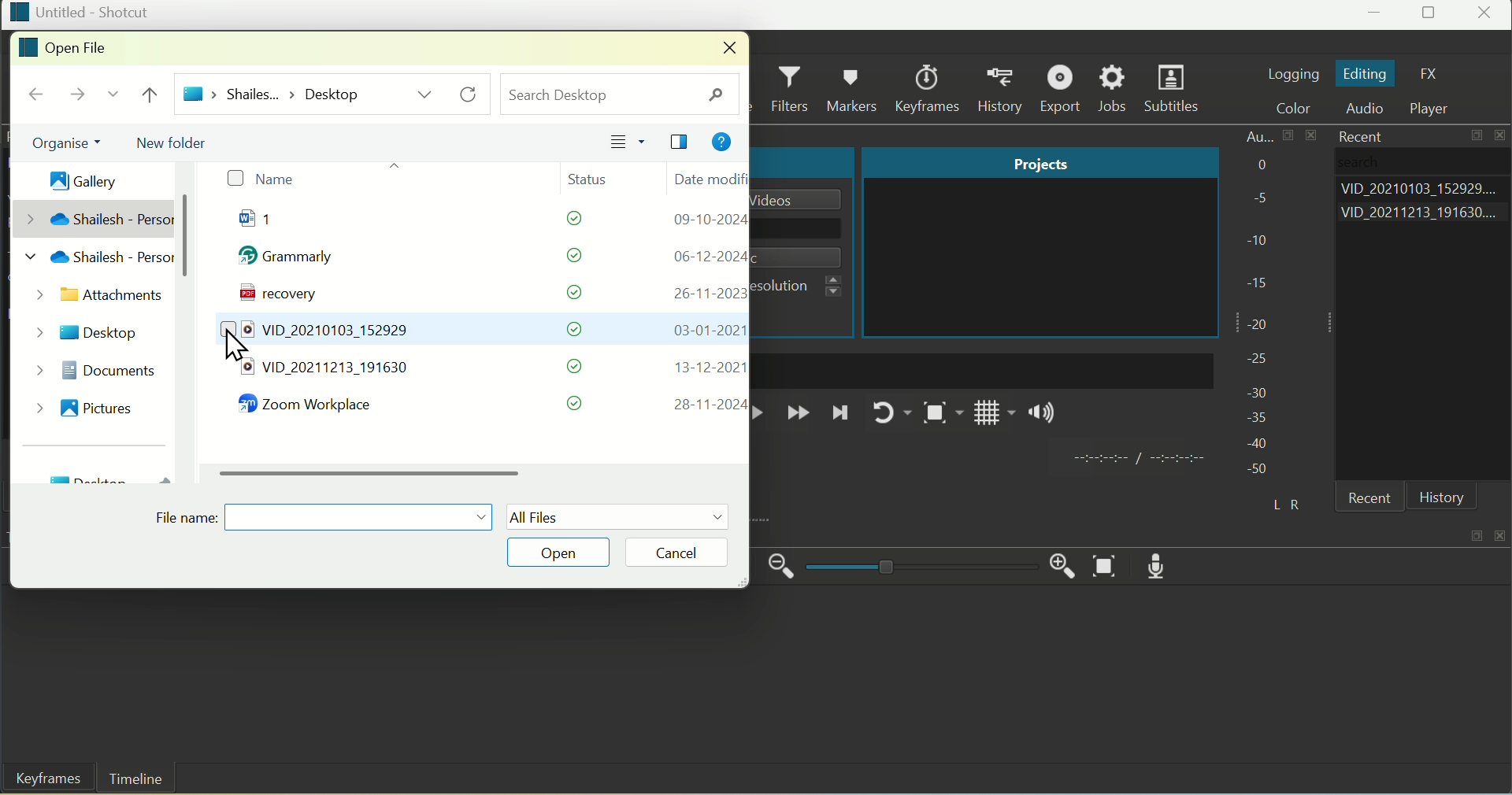 The width and height of the screenshot is (1512, 795). Describe the element at coordinates (74, 97) in the screenshot. I see `next` at that location.